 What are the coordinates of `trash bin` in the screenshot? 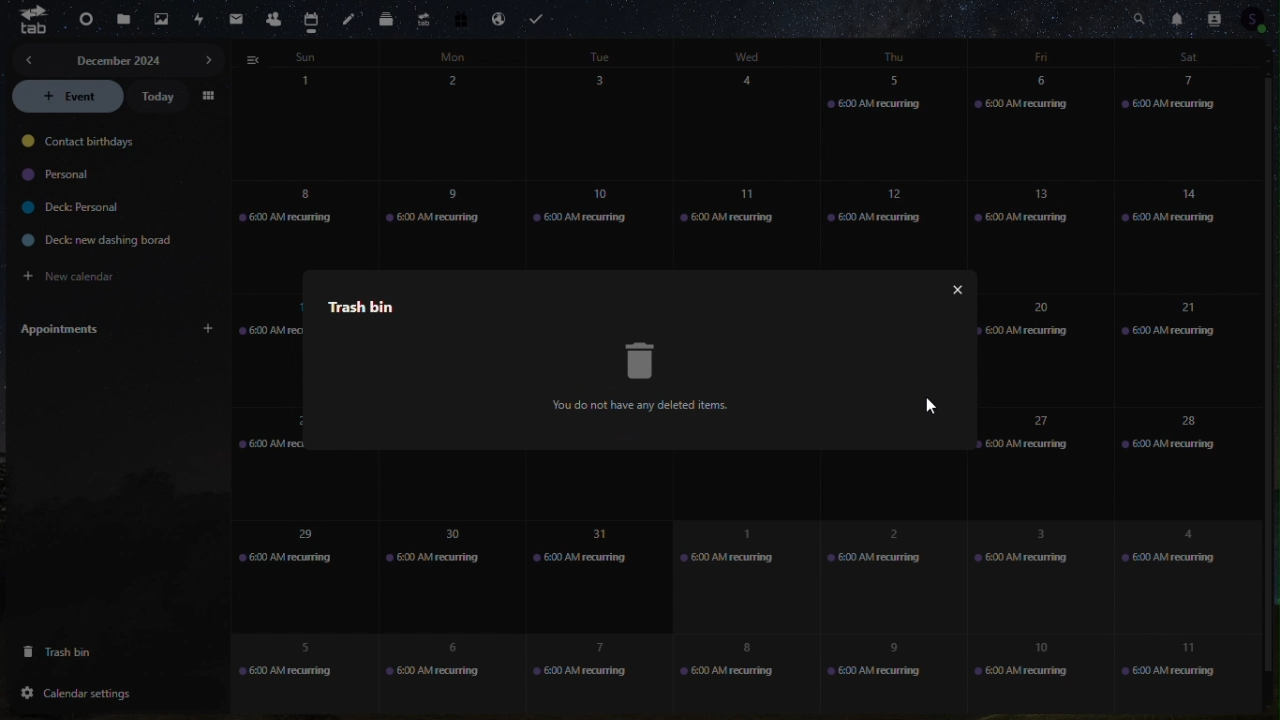 It's located at (355, 308).